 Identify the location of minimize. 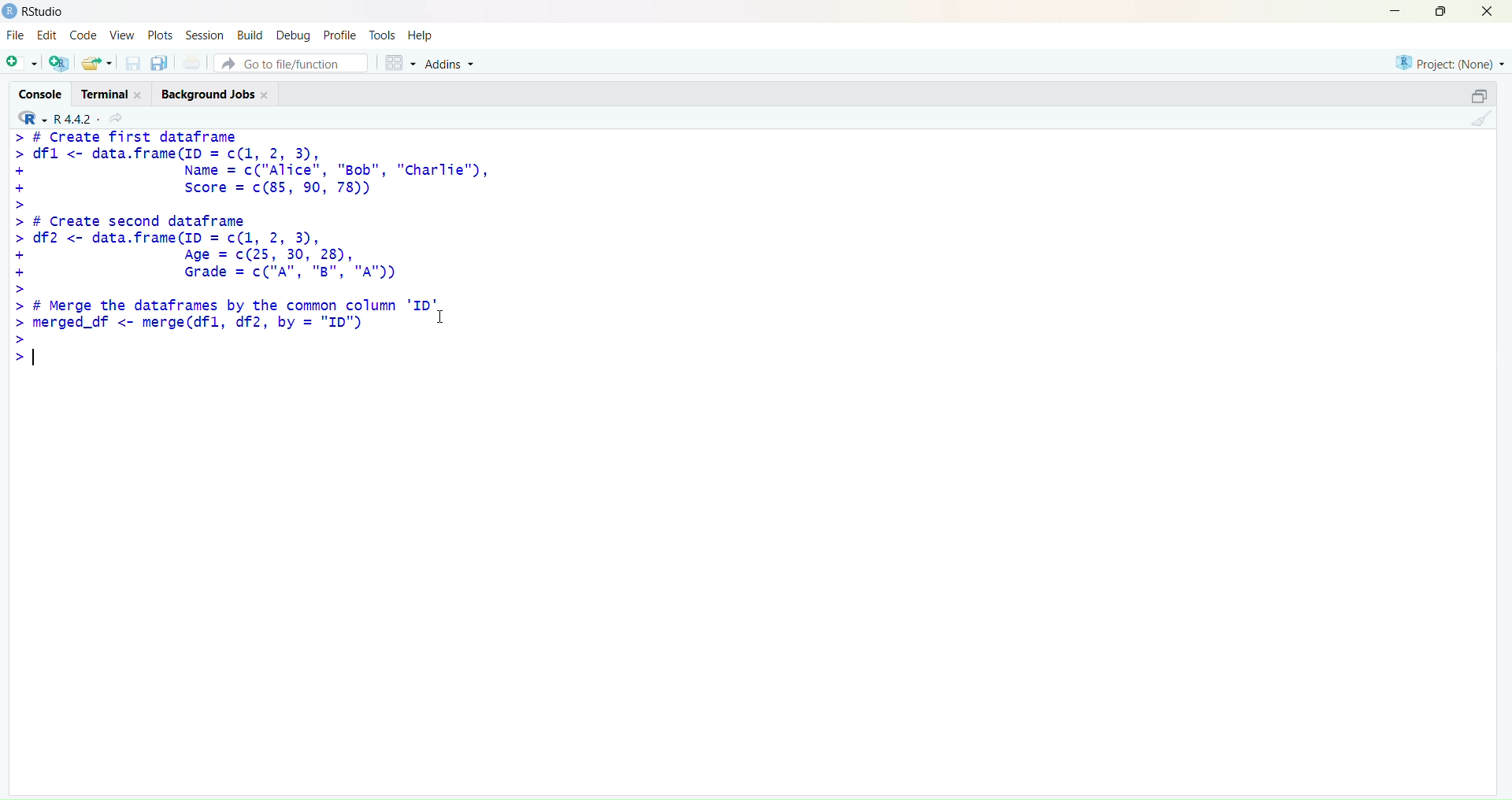
(1392, 11).